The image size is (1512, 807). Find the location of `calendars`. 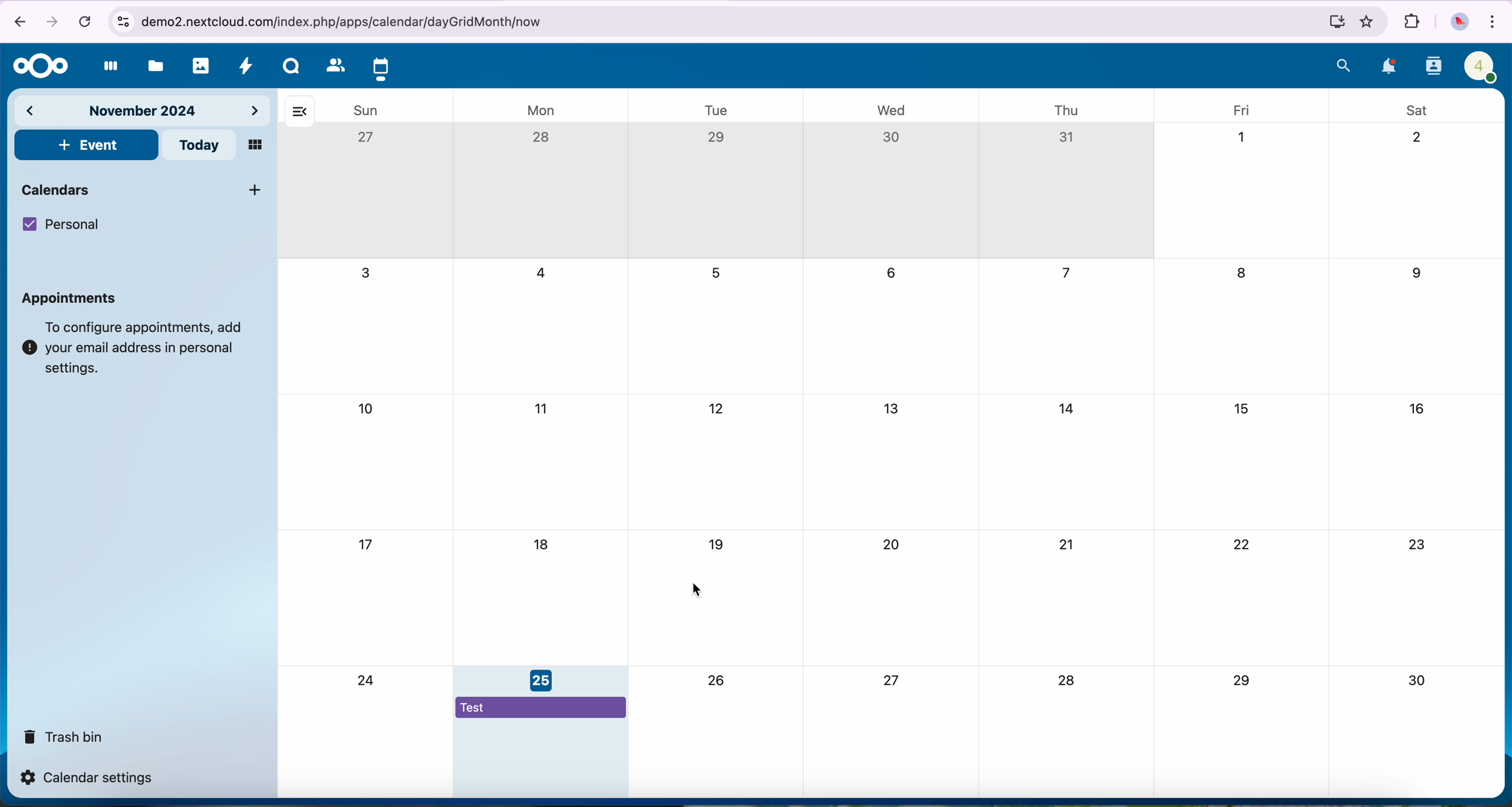

calendars is located at coordinates (144, 189).